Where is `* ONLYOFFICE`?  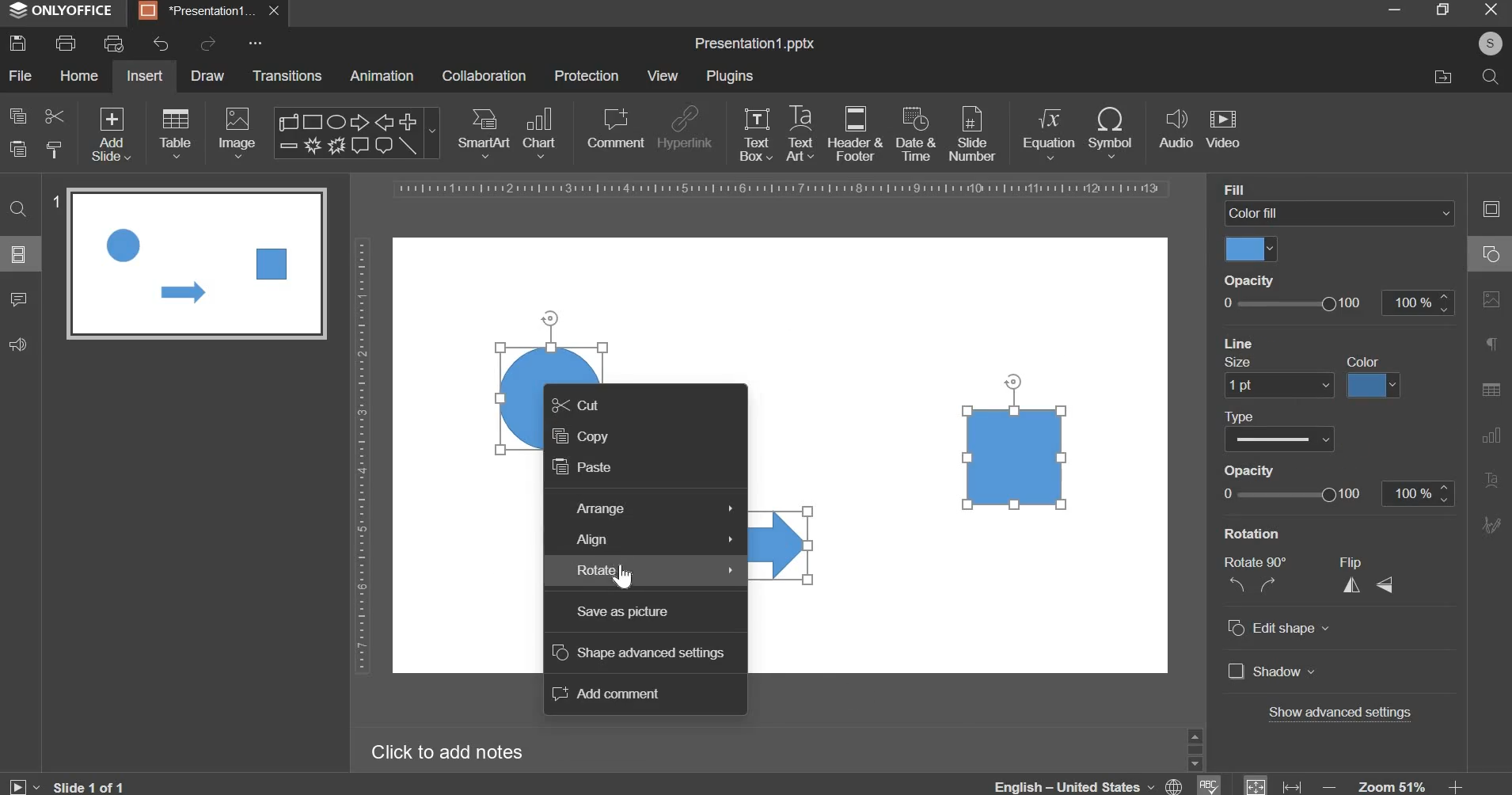 * ONLYOFFICE is located at coordinates (62, 10).